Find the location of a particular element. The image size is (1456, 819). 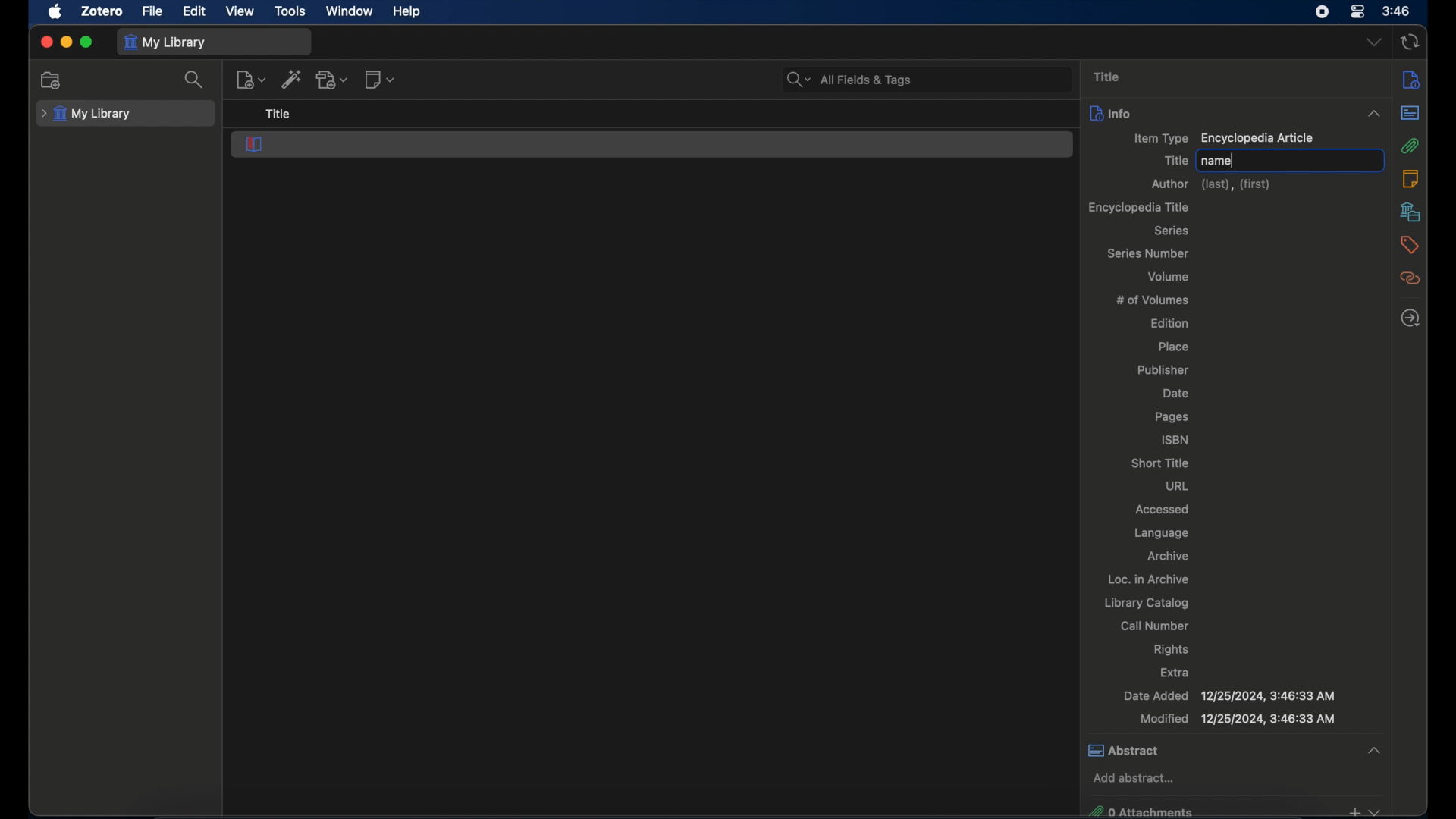

url is located at coordinates (1178, 485).